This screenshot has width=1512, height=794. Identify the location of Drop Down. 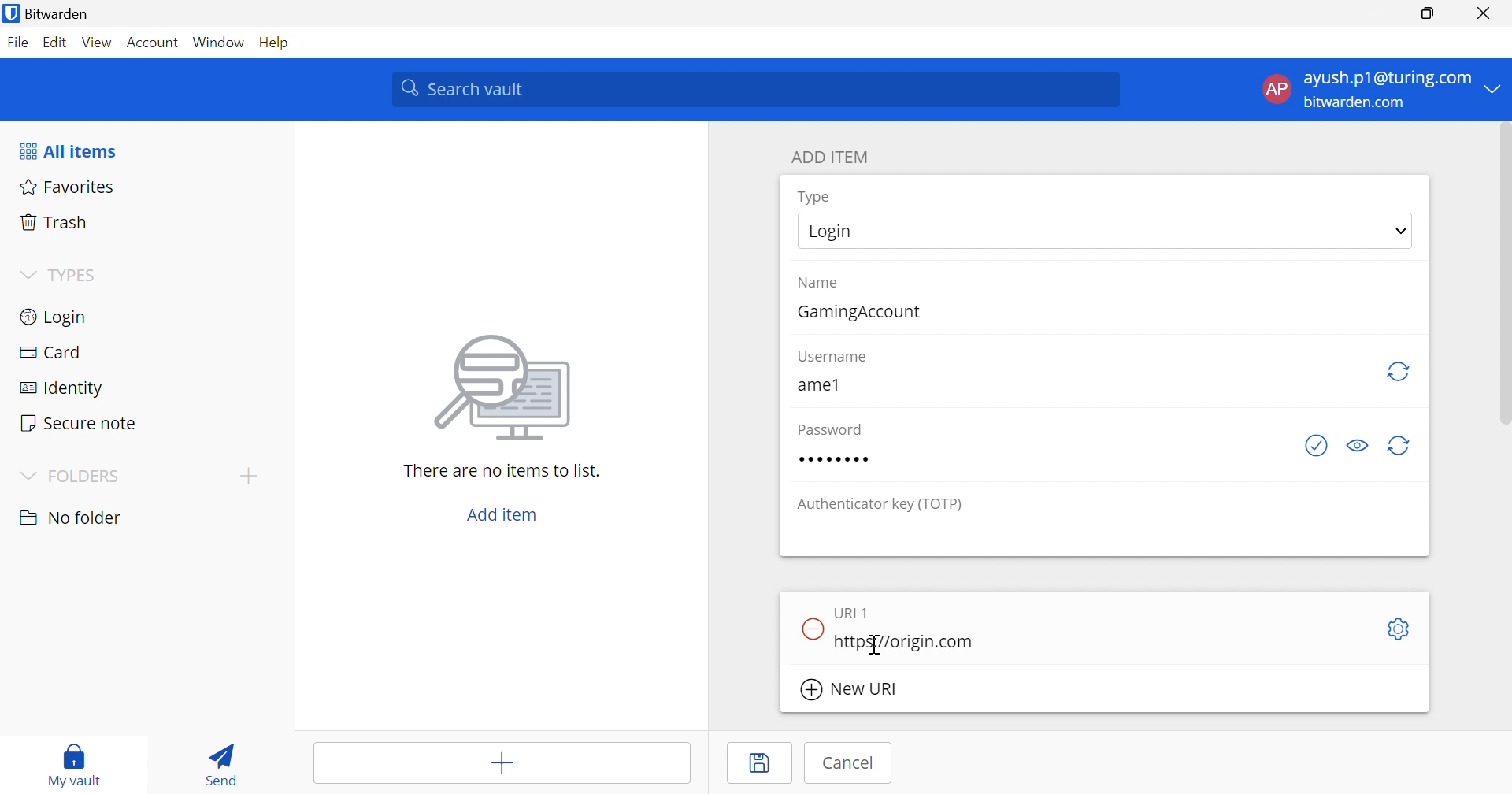
(27, 275).